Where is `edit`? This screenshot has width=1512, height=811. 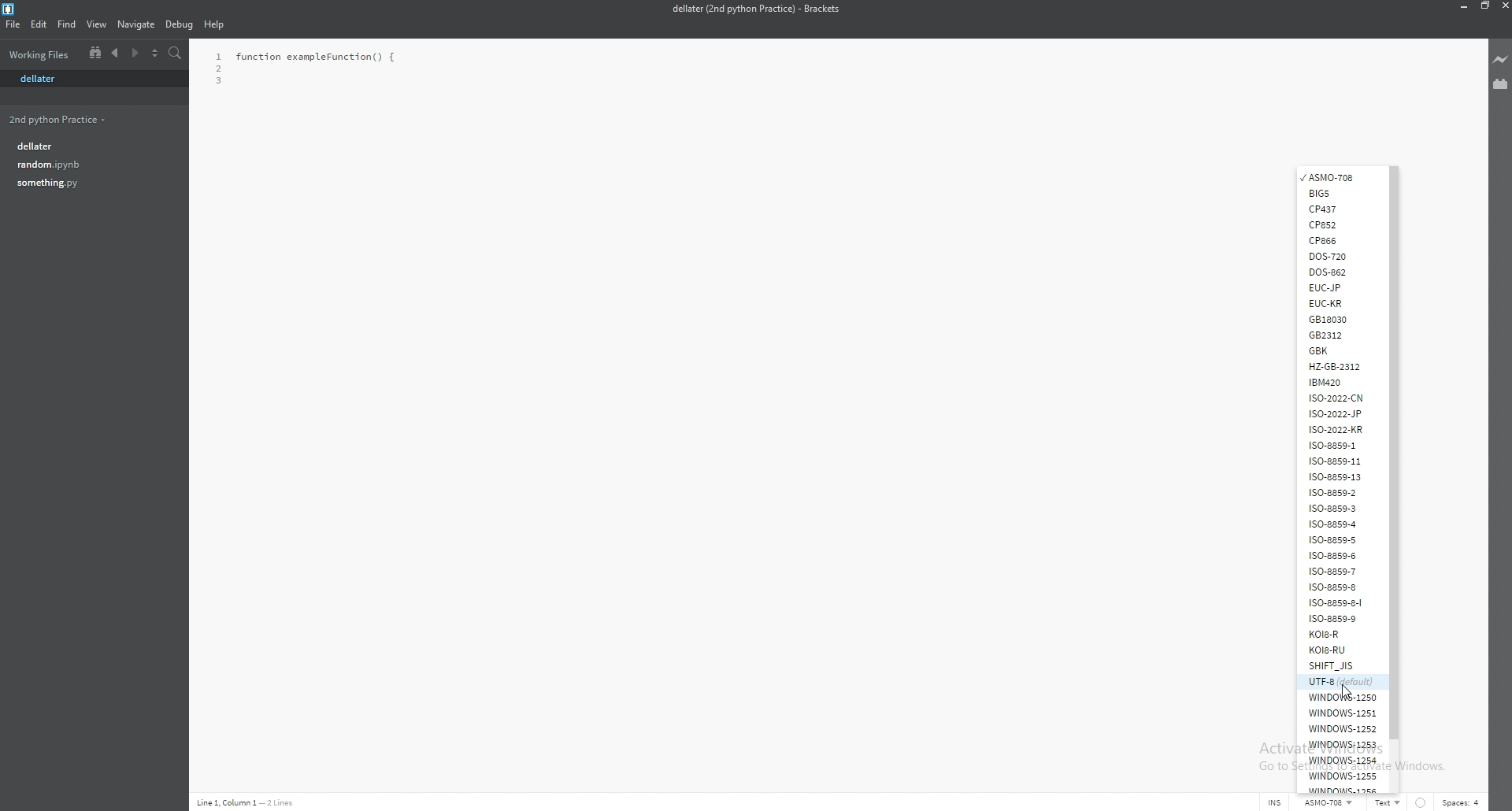
edit is located at coordinates (41, 25).